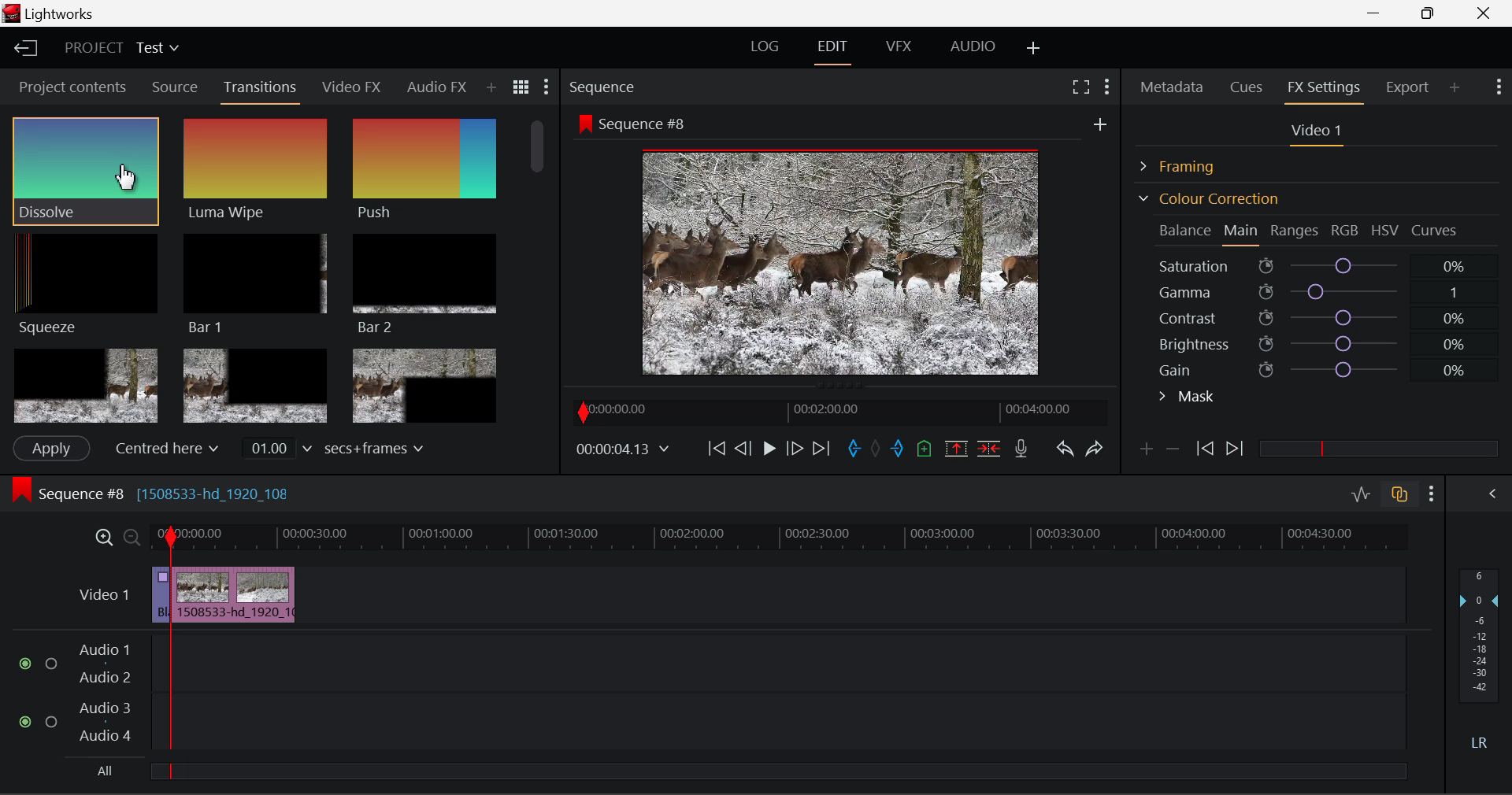  Describe the element at coordinates (899, 449) in the screenshot. I see `Mark Out` at that location.